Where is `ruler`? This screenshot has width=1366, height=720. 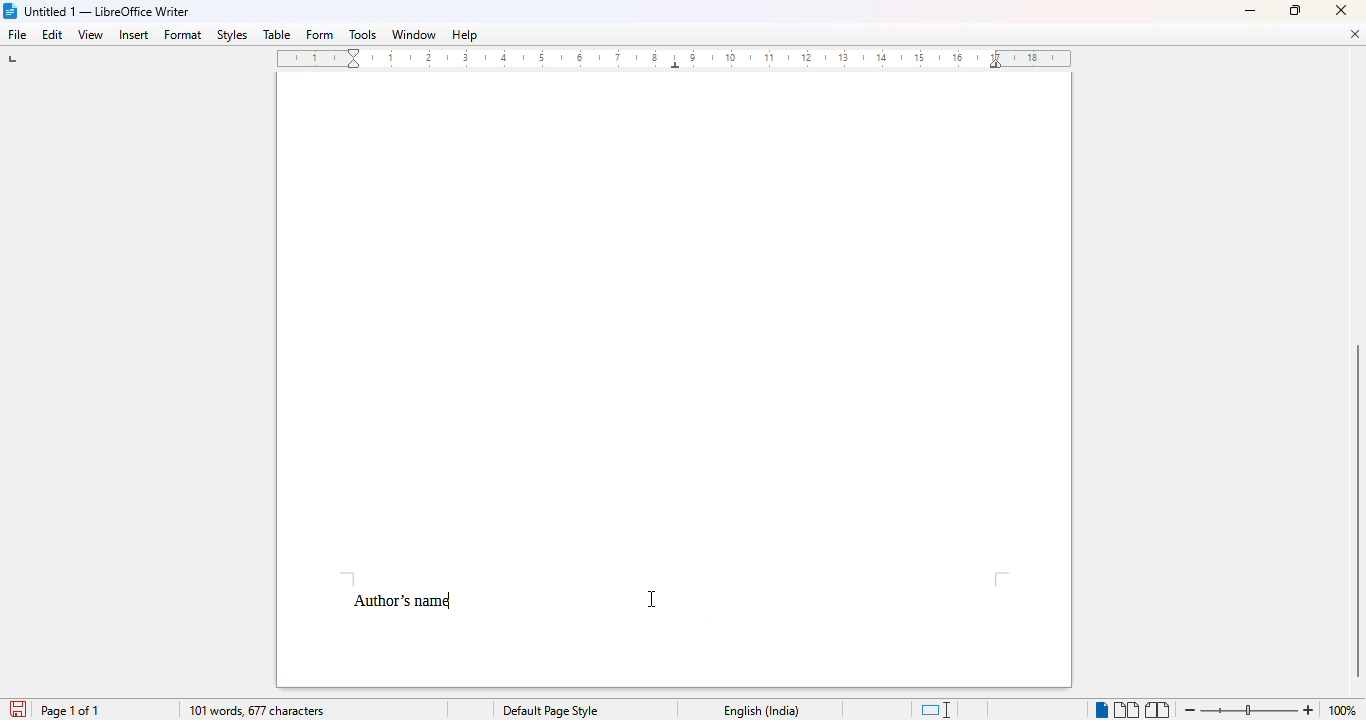
ruler is located at coordinates (677, 60).